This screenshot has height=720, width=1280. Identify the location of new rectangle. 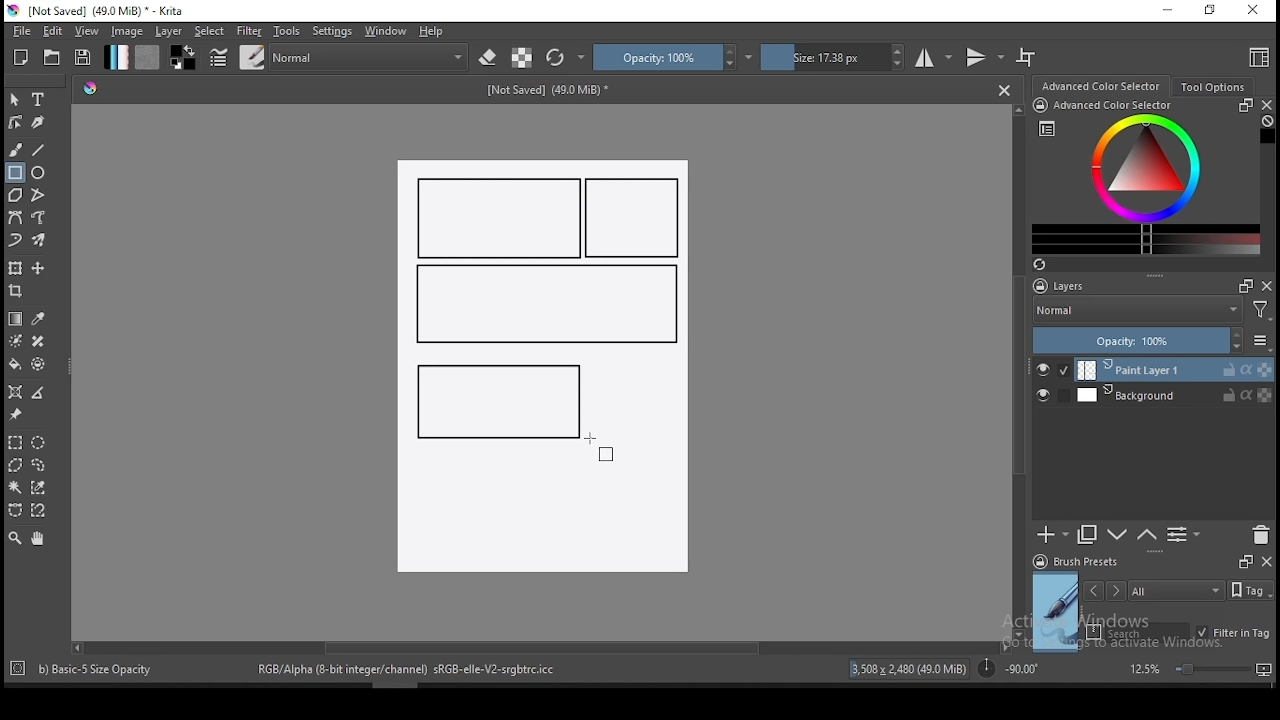
(544, 305).